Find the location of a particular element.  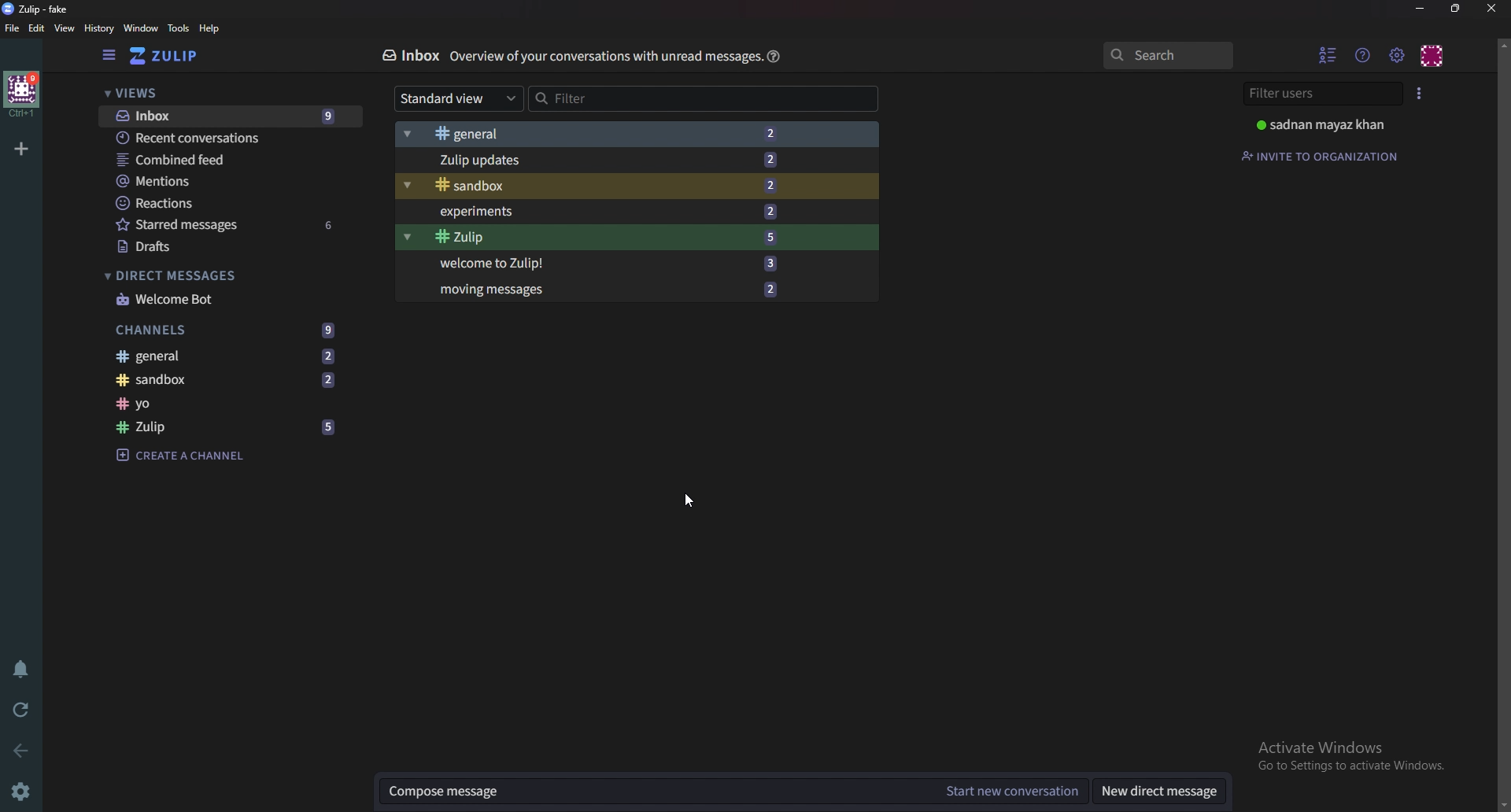

User list style is located at coordinates (1418, 92).